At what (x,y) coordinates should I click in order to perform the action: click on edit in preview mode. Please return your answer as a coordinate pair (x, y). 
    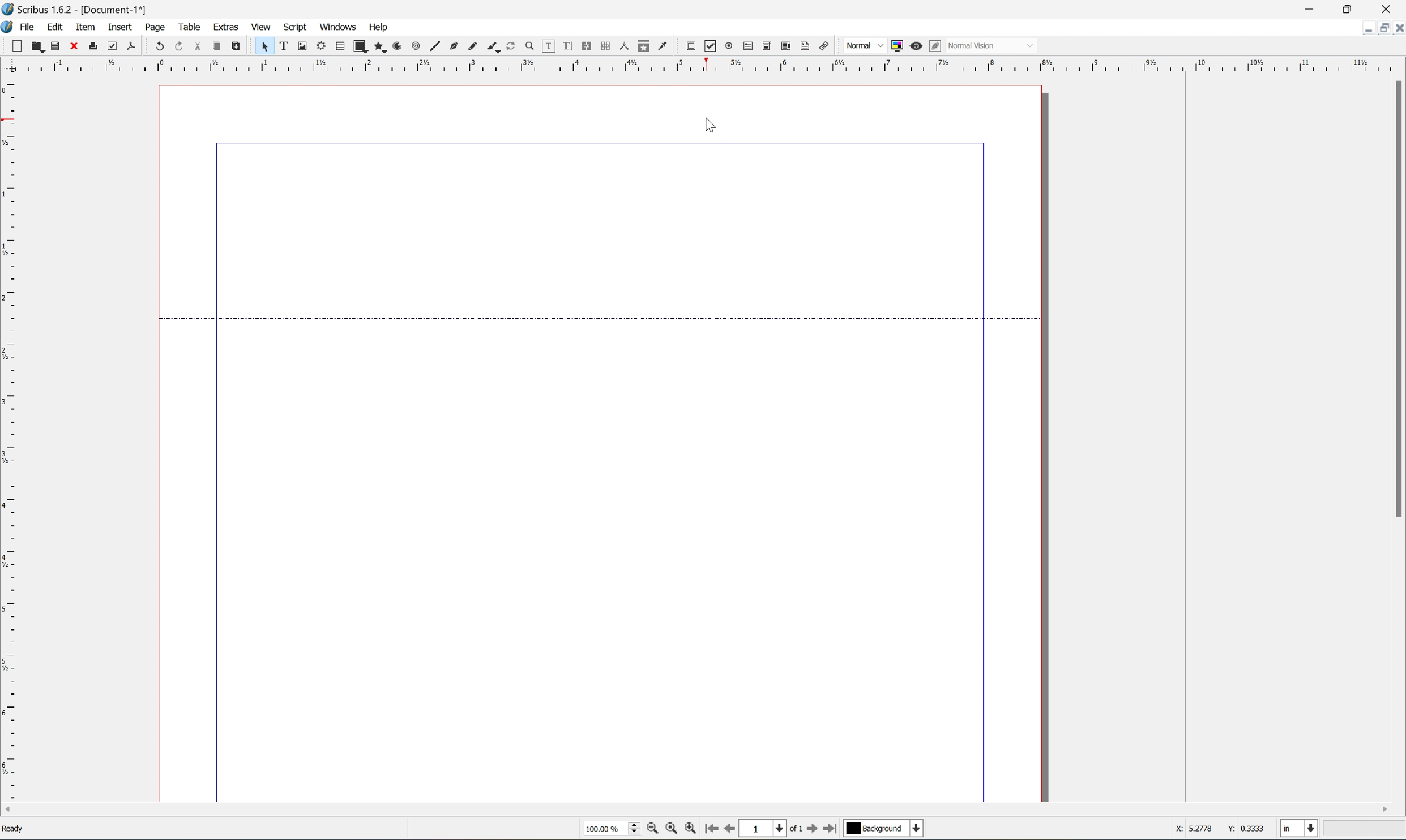
    Looking at the image, I should click on (935, 46).